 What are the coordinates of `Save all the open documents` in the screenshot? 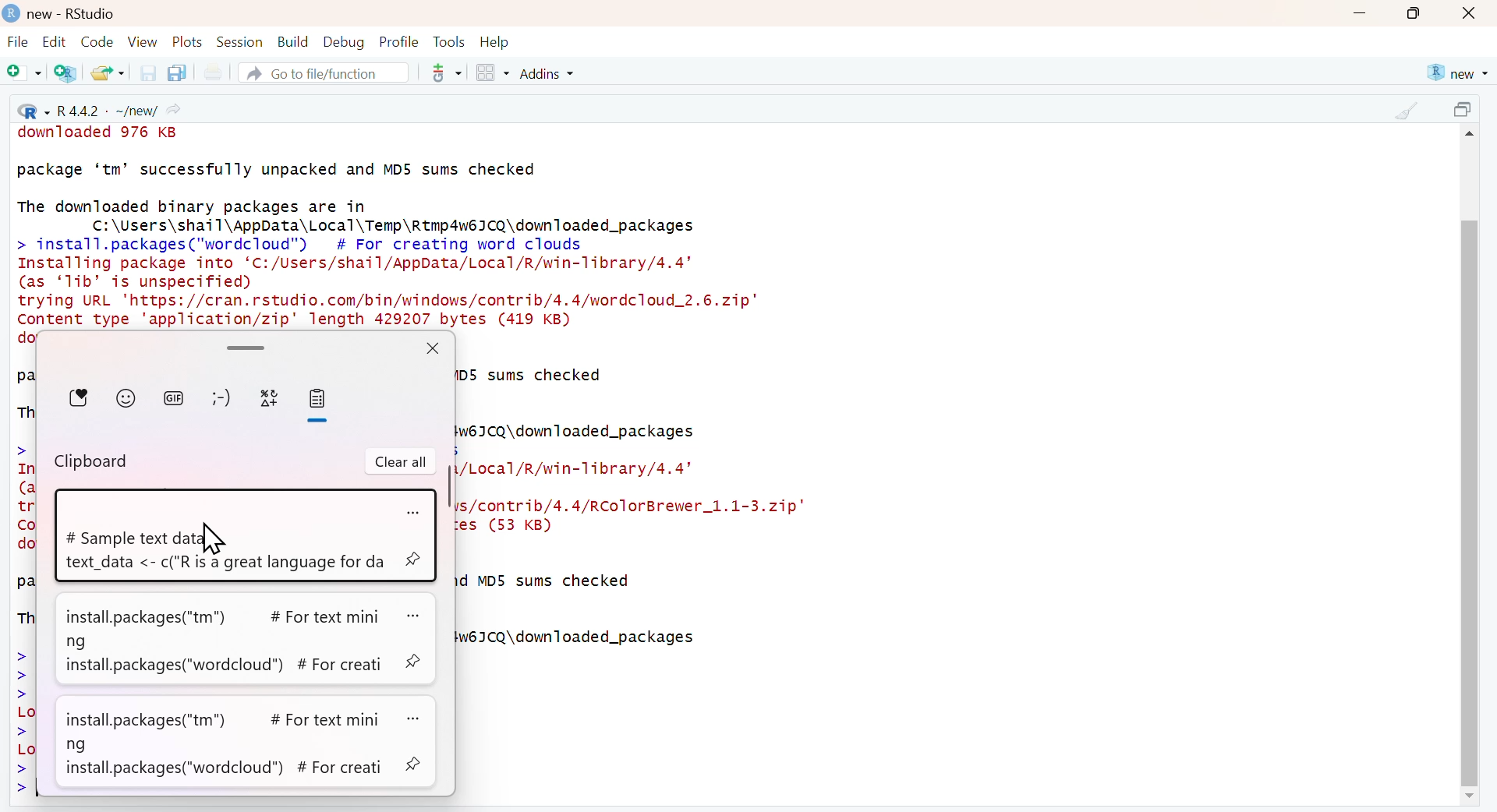 It's located at (176, 72).